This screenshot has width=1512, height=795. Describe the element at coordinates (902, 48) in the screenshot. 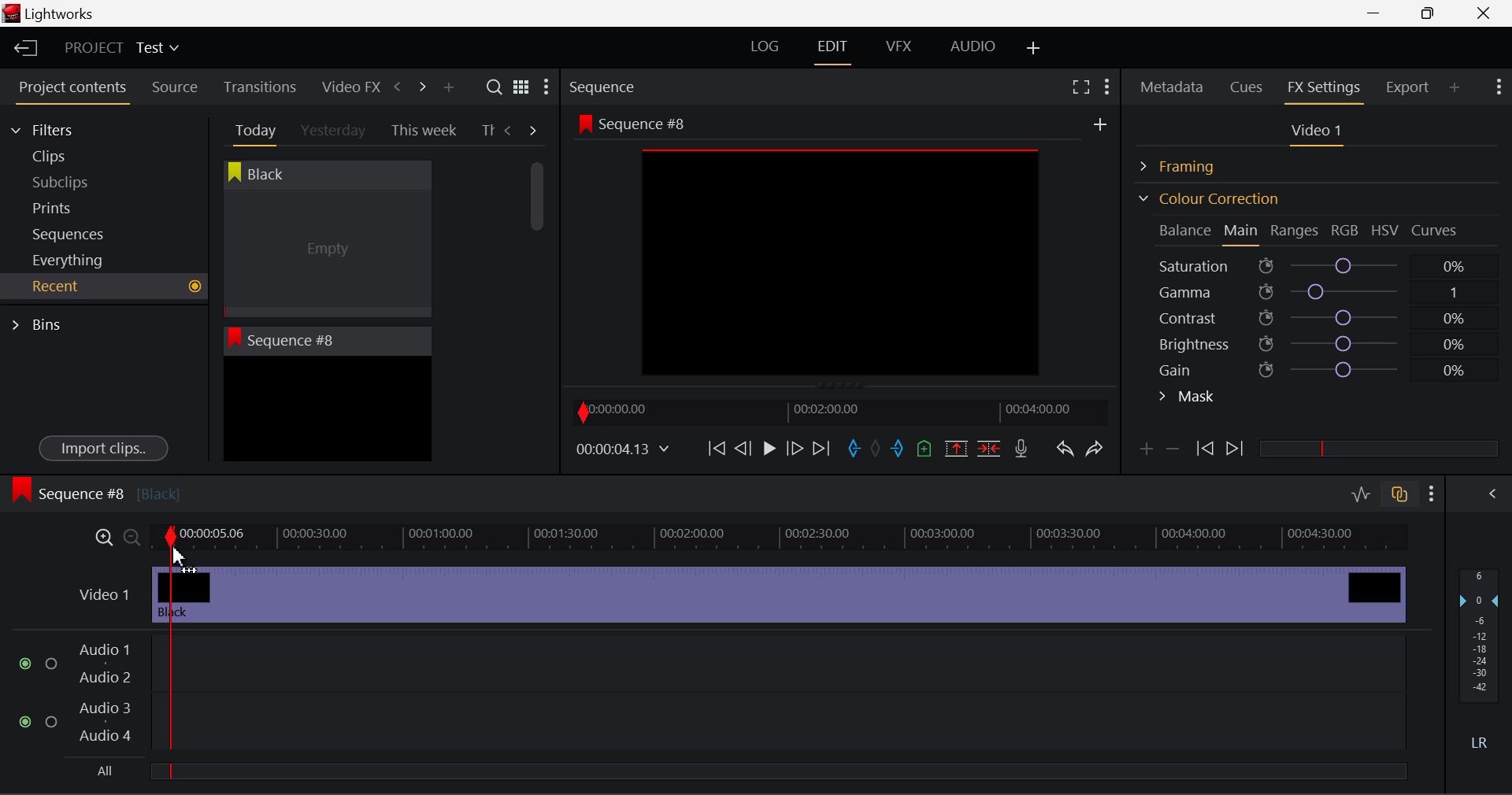

I see `VFX Layout` at that location.